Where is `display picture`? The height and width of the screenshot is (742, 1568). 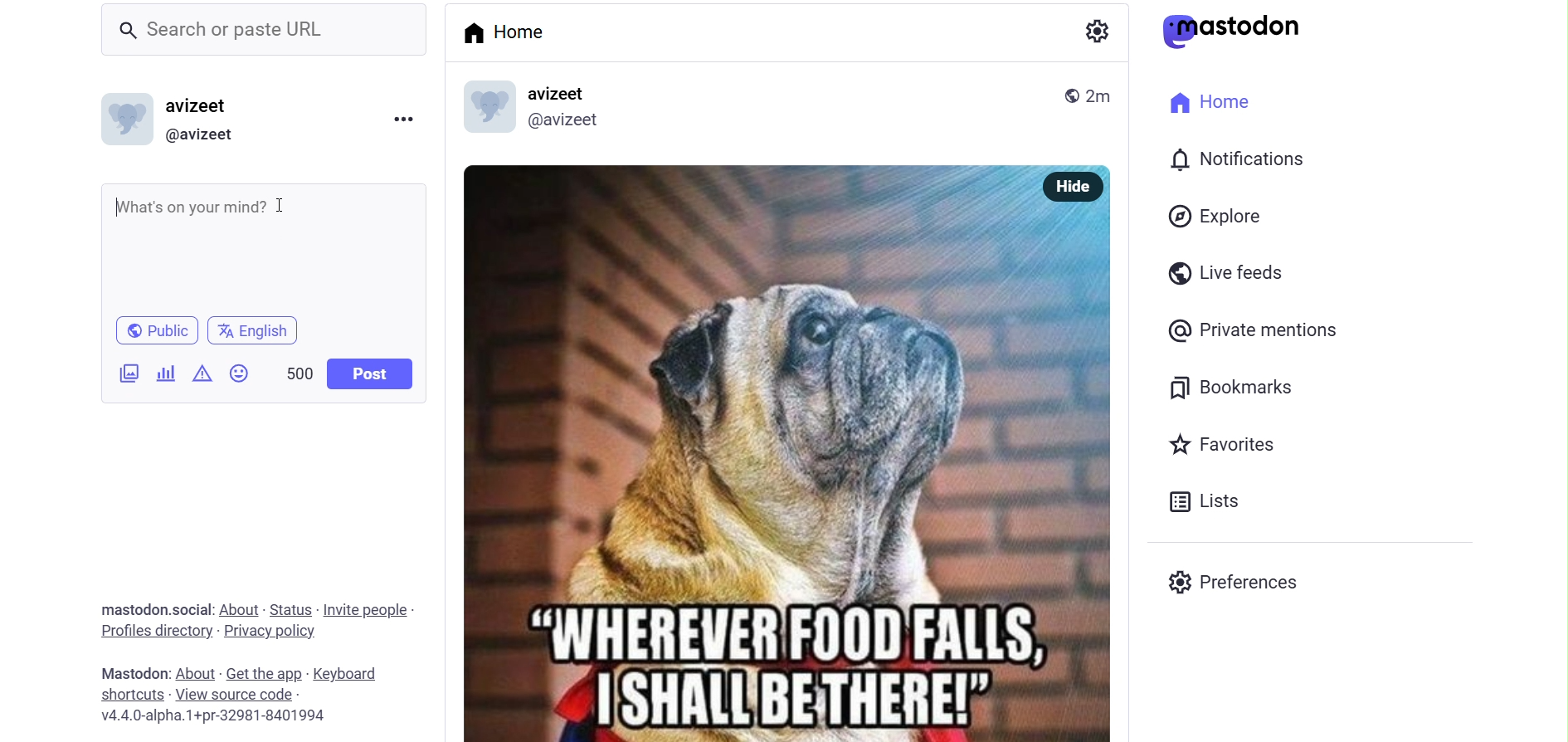
display picture is located at coordinates (126, 118).